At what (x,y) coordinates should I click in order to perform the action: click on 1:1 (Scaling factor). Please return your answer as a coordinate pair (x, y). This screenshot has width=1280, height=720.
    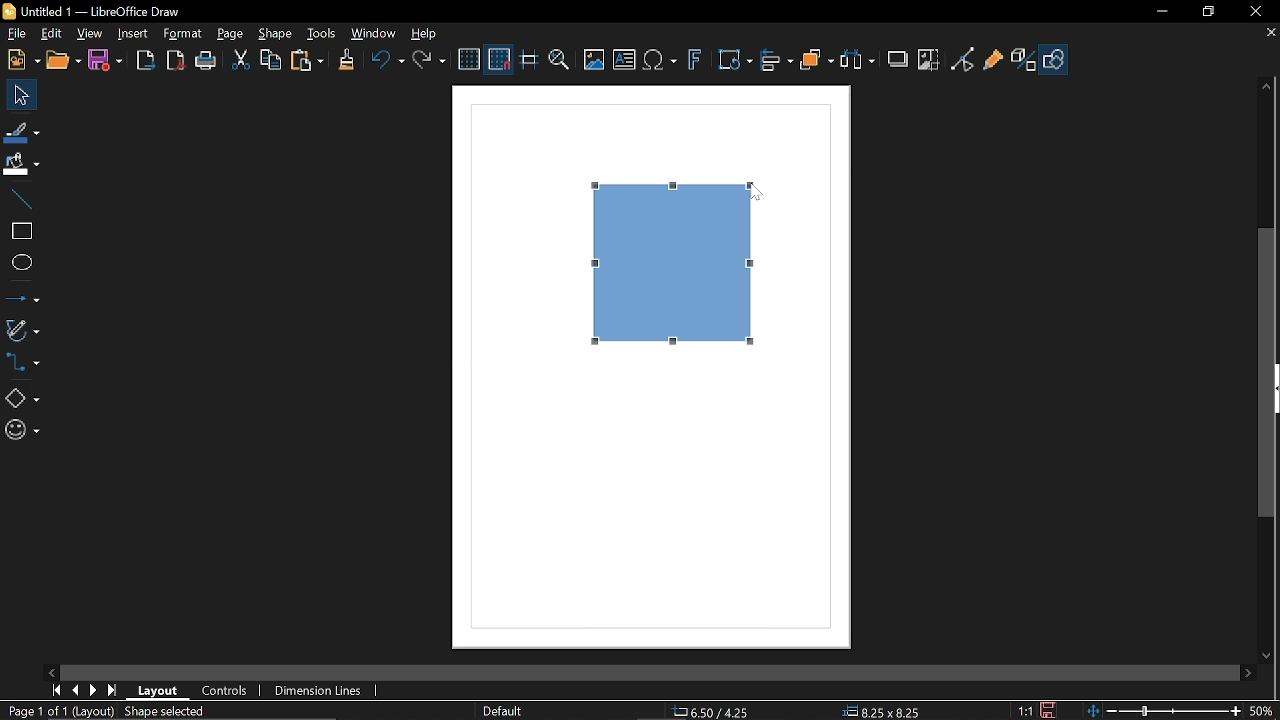
    Looking at the image, I should click on (1022, 710).